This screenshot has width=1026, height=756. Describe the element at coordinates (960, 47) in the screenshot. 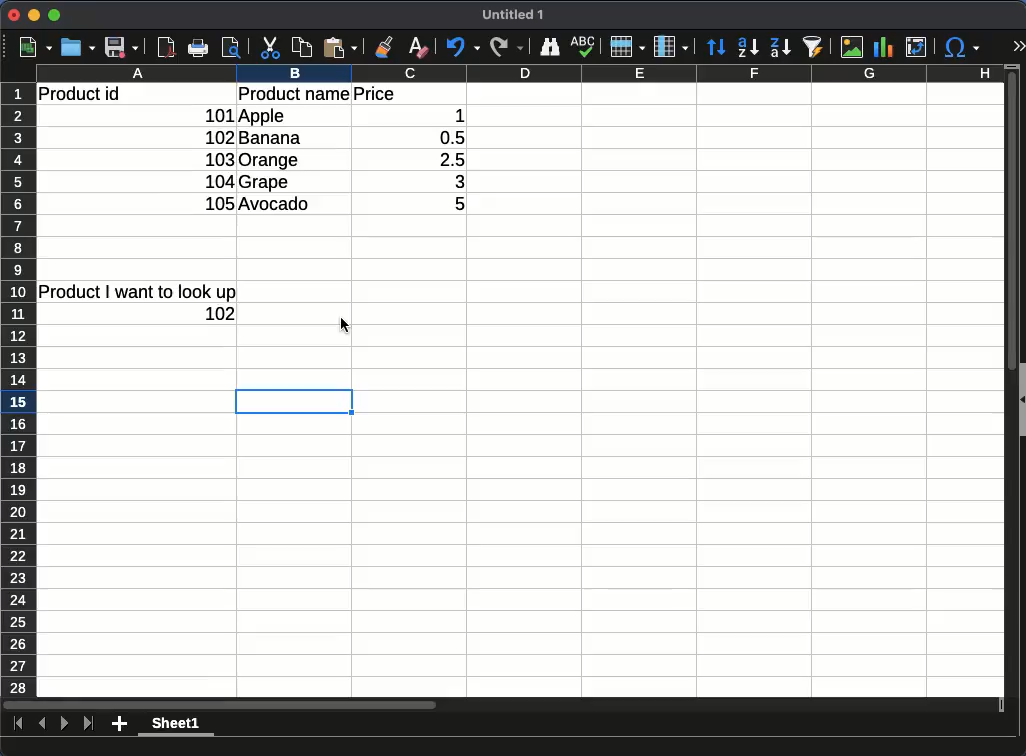

I see `special character` at that location.